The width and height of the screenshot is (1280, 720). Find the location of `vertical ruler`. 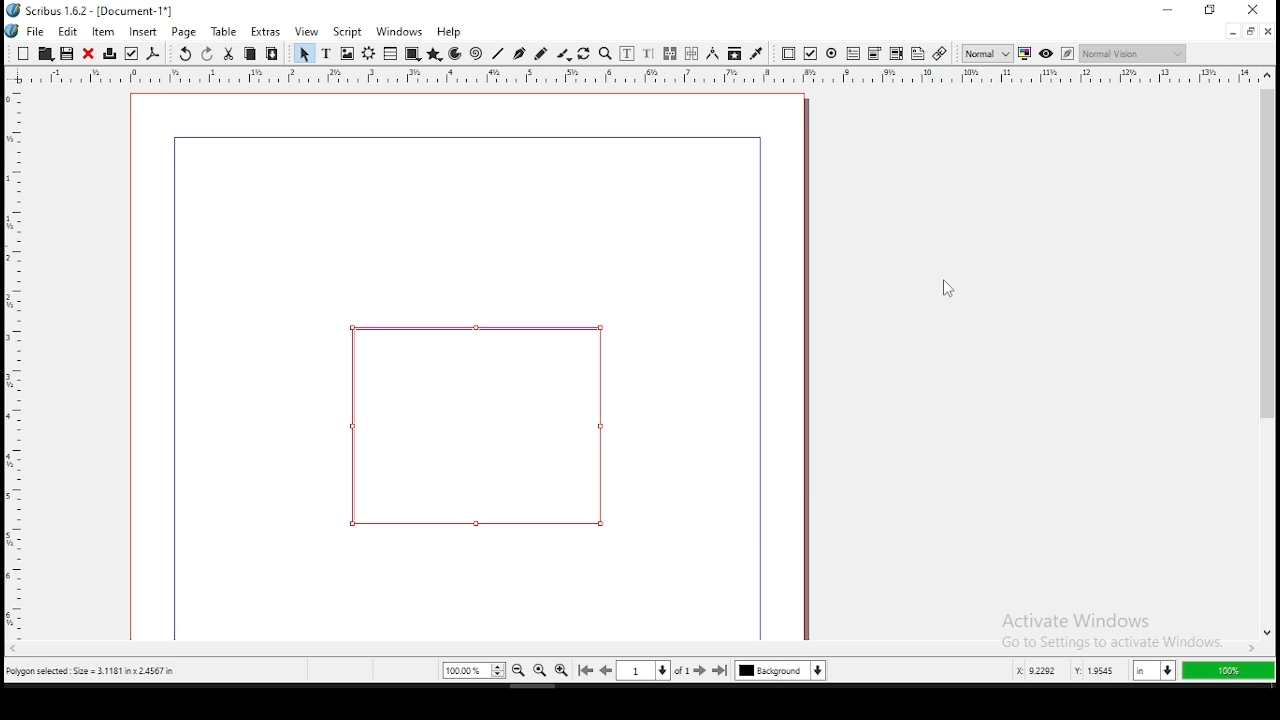

vertical ruler is located at coordinates (640, 74).